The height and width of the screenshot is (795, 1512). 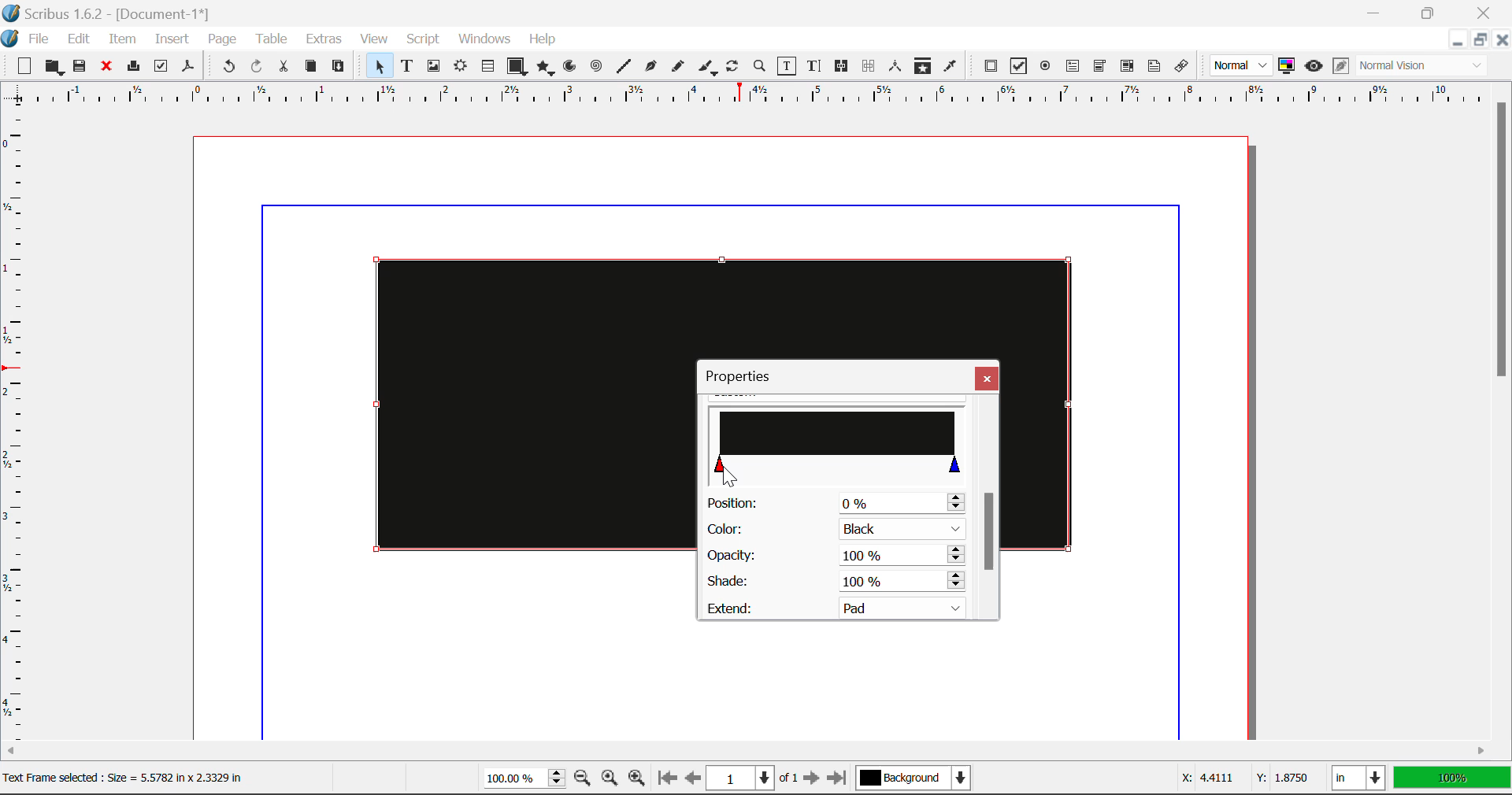 What do you see at coordinates (833, 582) in the screenshot?
I see `Shade` at bounding box center [833, 582].